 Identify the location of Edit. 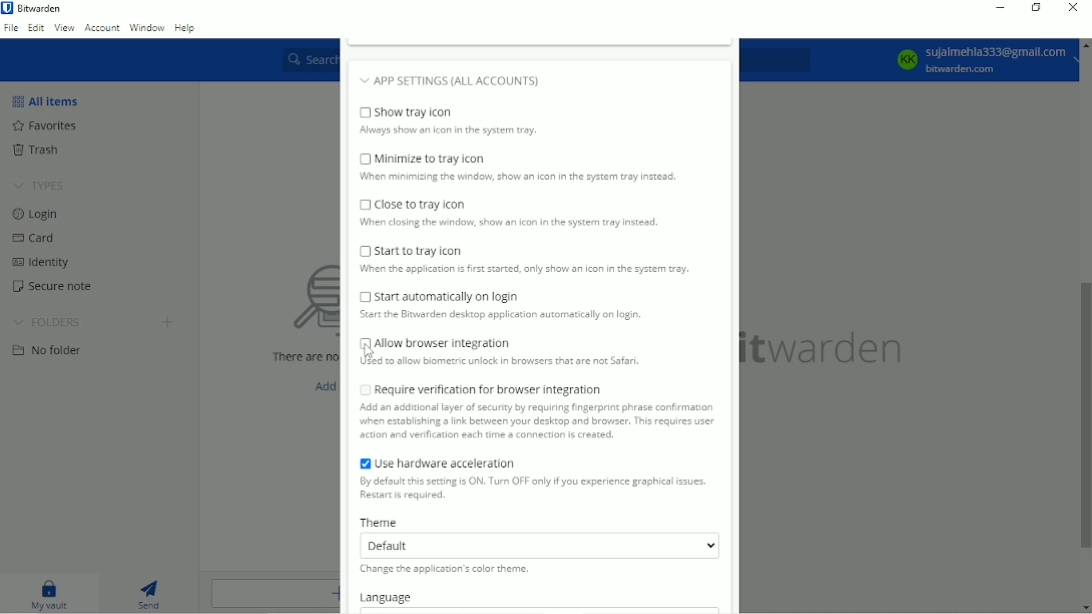
(35, 28).